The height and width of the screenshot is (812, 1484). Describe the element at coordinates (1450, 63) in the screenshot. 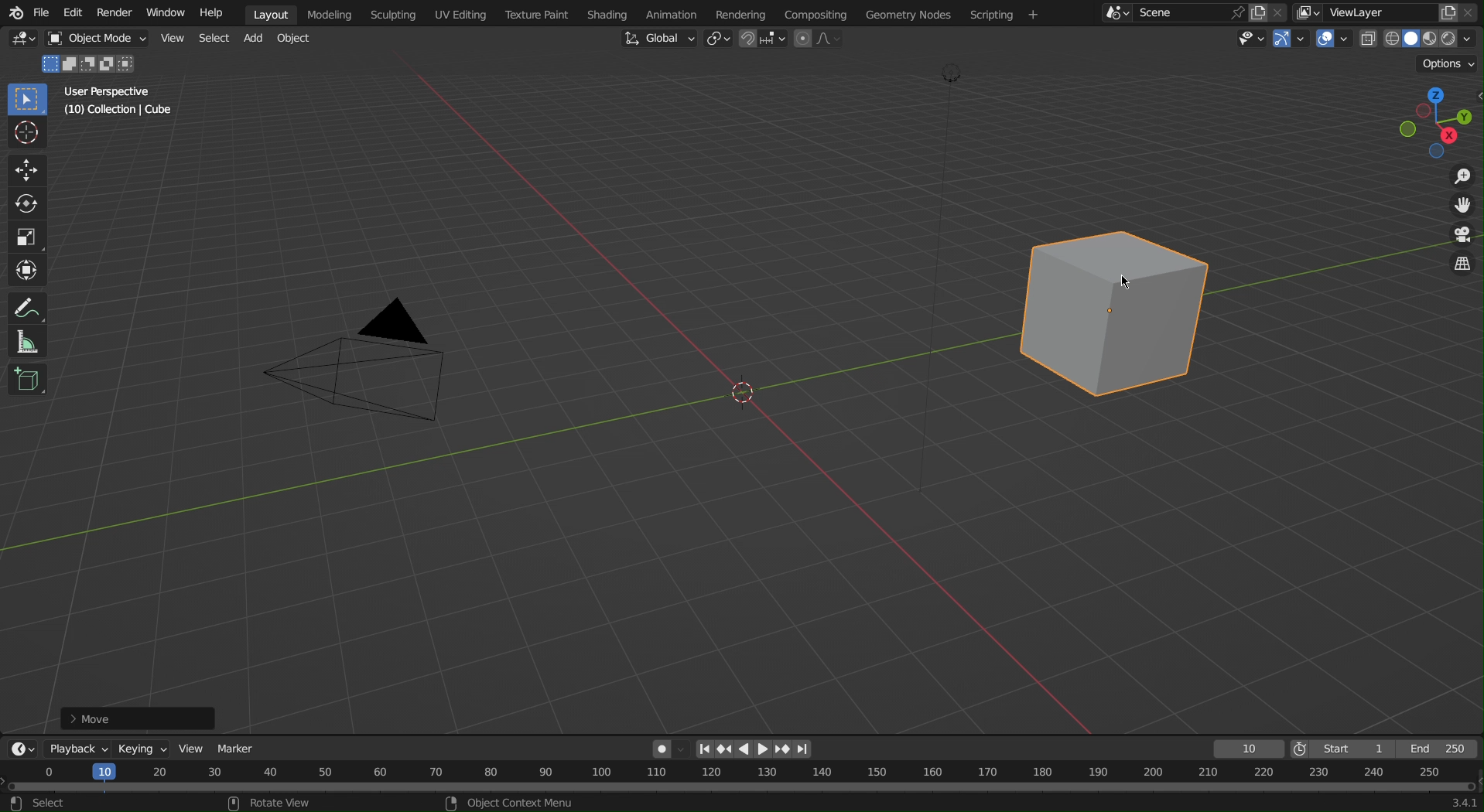

I see `Options` at that location.